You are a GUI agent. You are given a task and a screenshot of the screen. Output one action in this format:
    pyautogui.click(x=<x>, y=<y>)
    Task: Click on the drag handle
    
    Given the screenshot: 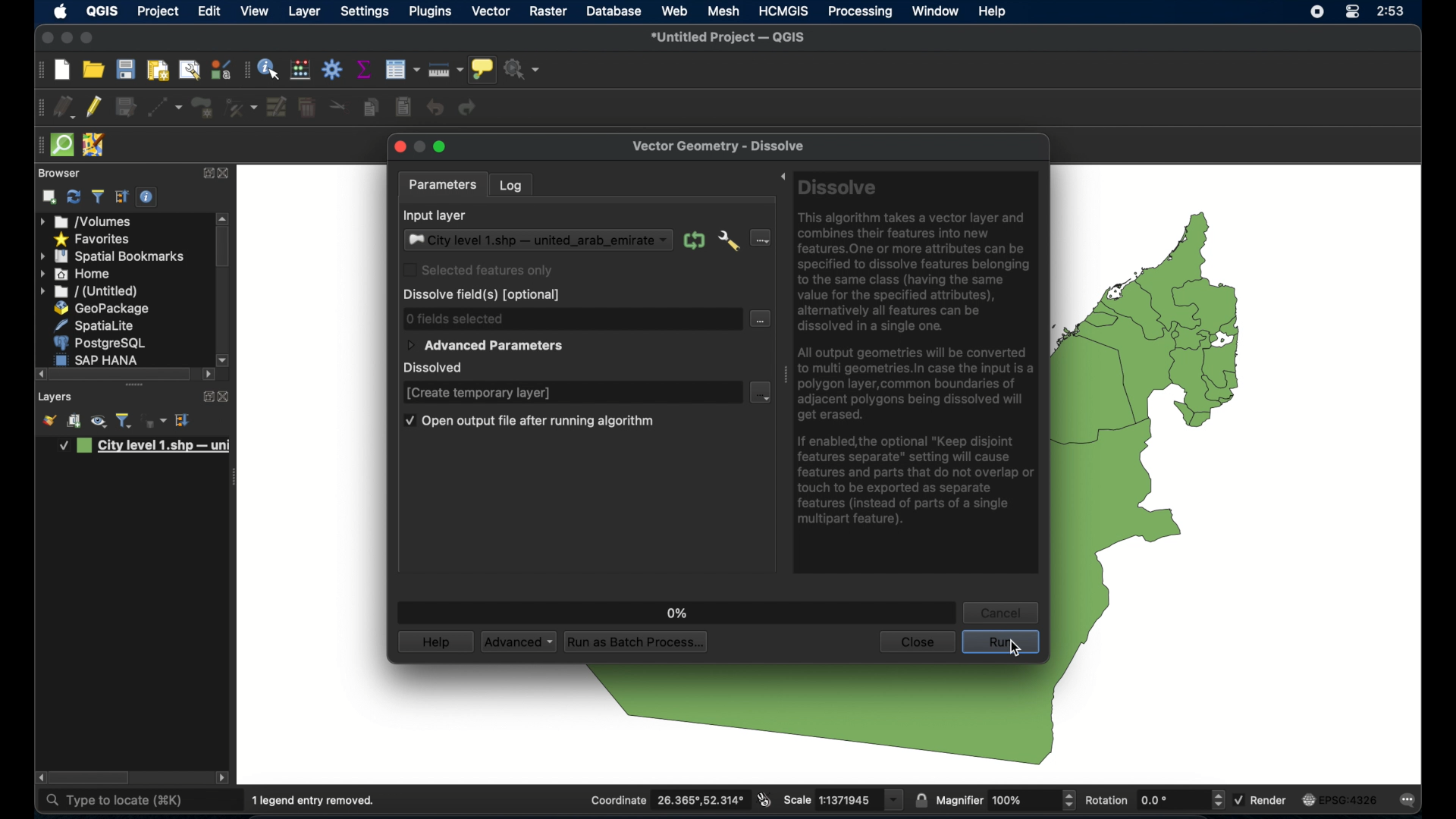 What is the action you would take?
    pyautogui.click(x=133, y=385)
    